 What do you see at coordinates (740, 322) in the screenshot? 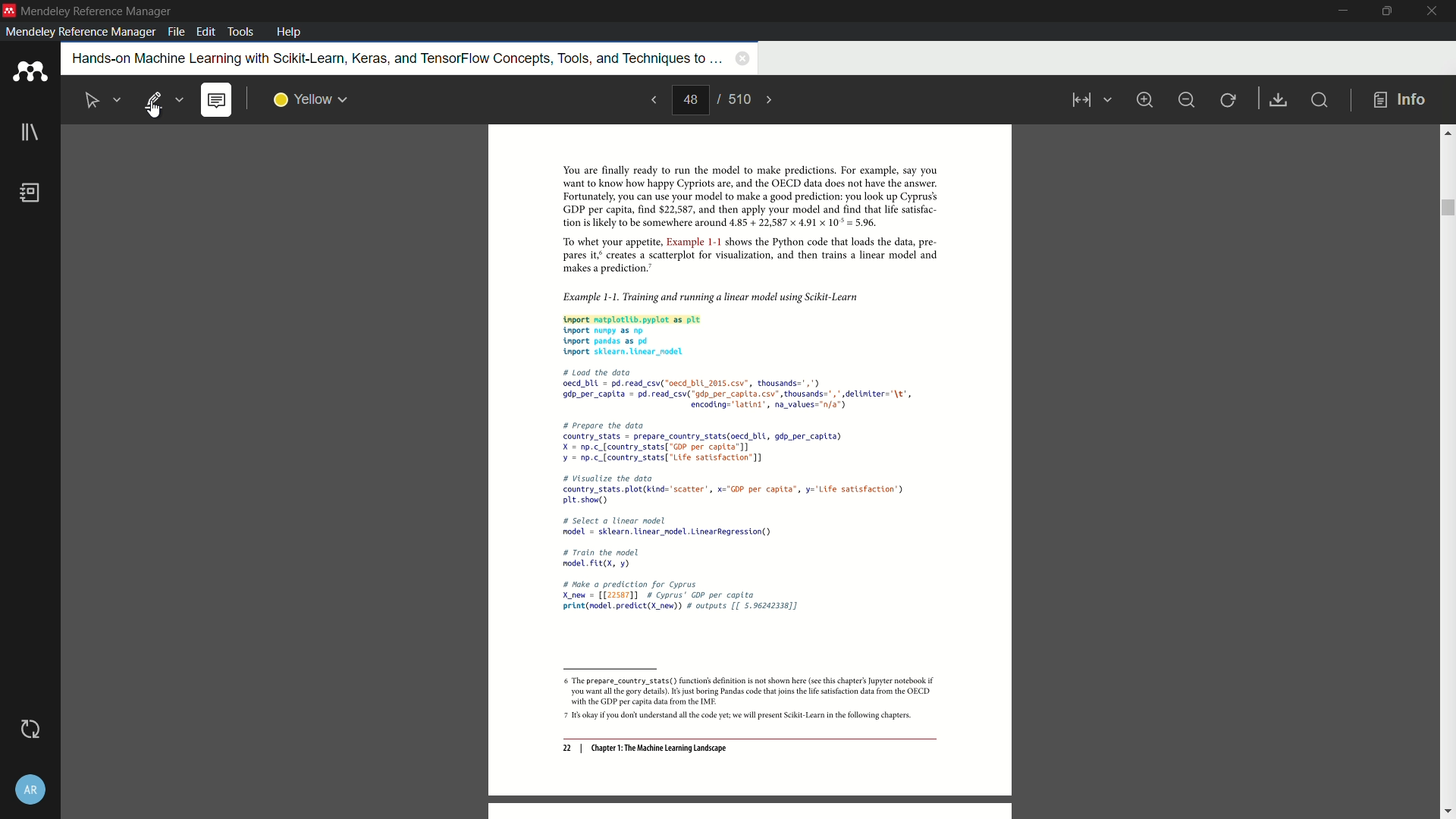
I see `Example 1-1. Training and running a linear model using Scikit-Learn
tnport matplotlib.pyplot as plt

nport nunpy as np.

tnport pandas as pd

tnport sklearn. Linear_nodel` at bounding box center [740, 322].